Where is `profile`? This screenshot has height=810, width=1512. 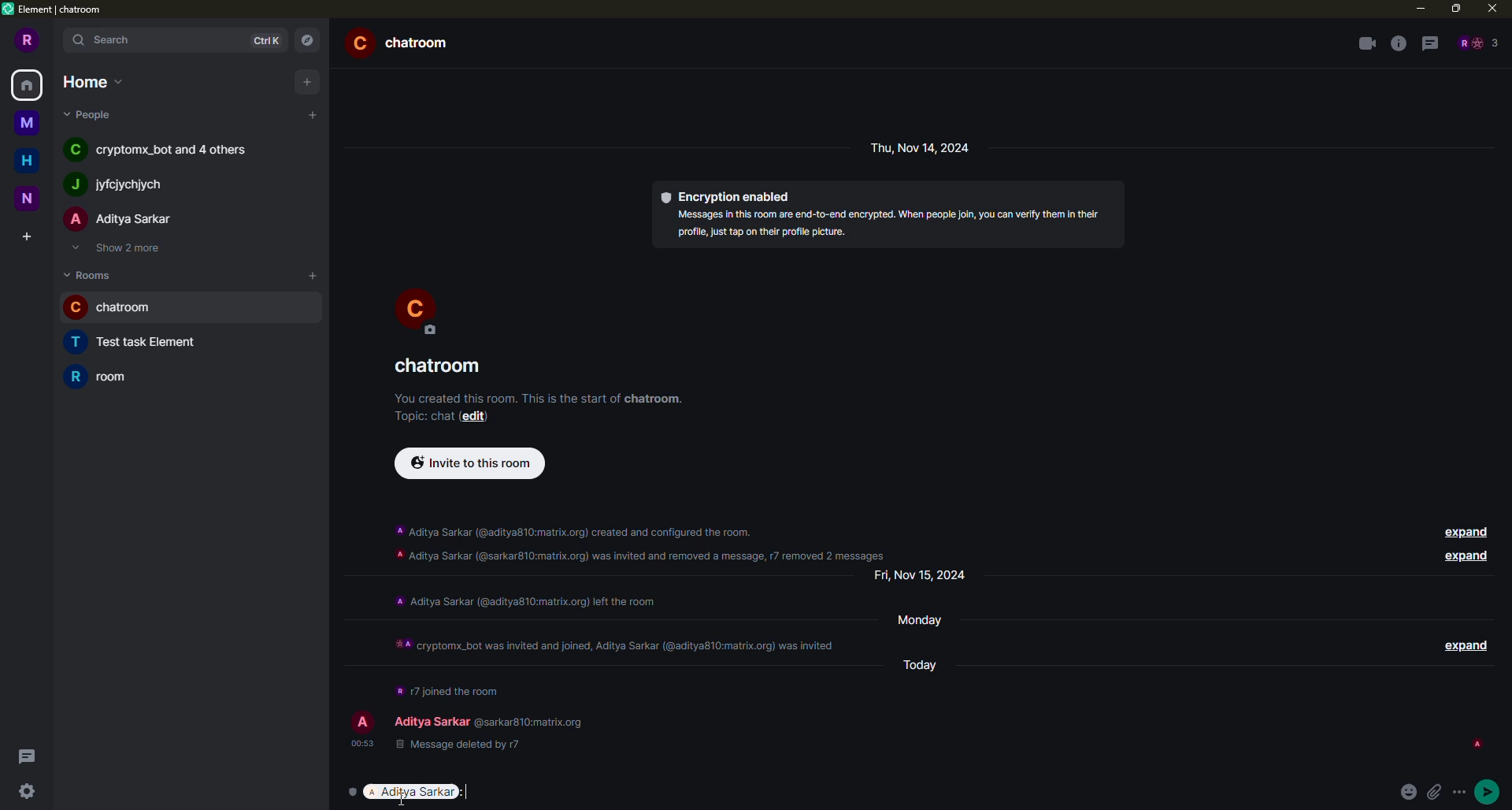 profile is located at coordinates (28, 39).